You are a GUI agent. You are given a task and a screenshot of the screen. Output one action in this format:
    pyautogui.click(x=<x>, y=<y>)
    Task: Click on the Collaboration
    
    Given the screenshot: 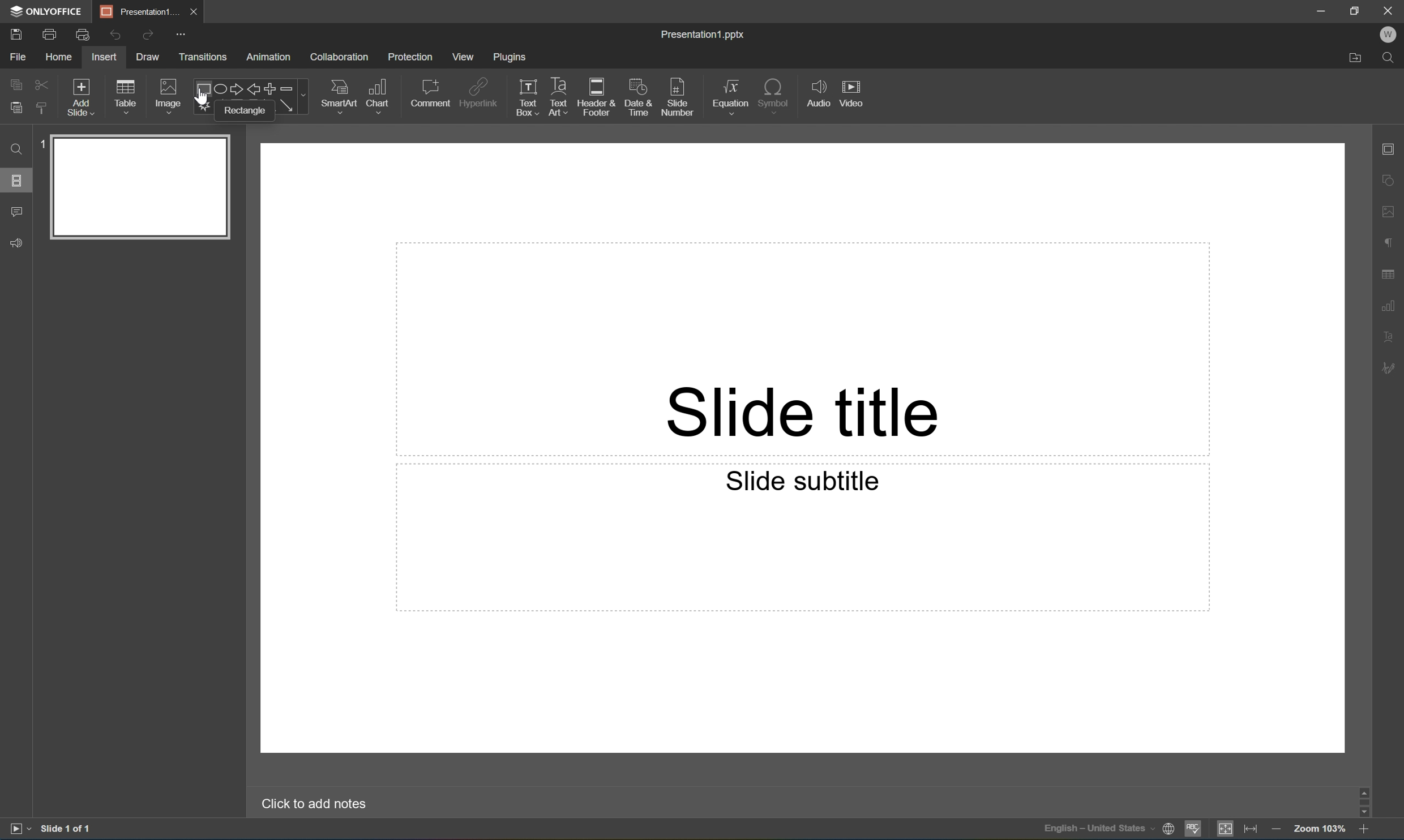 What is the action you would take?
    pyautogui.click(x=341, y=58)
    